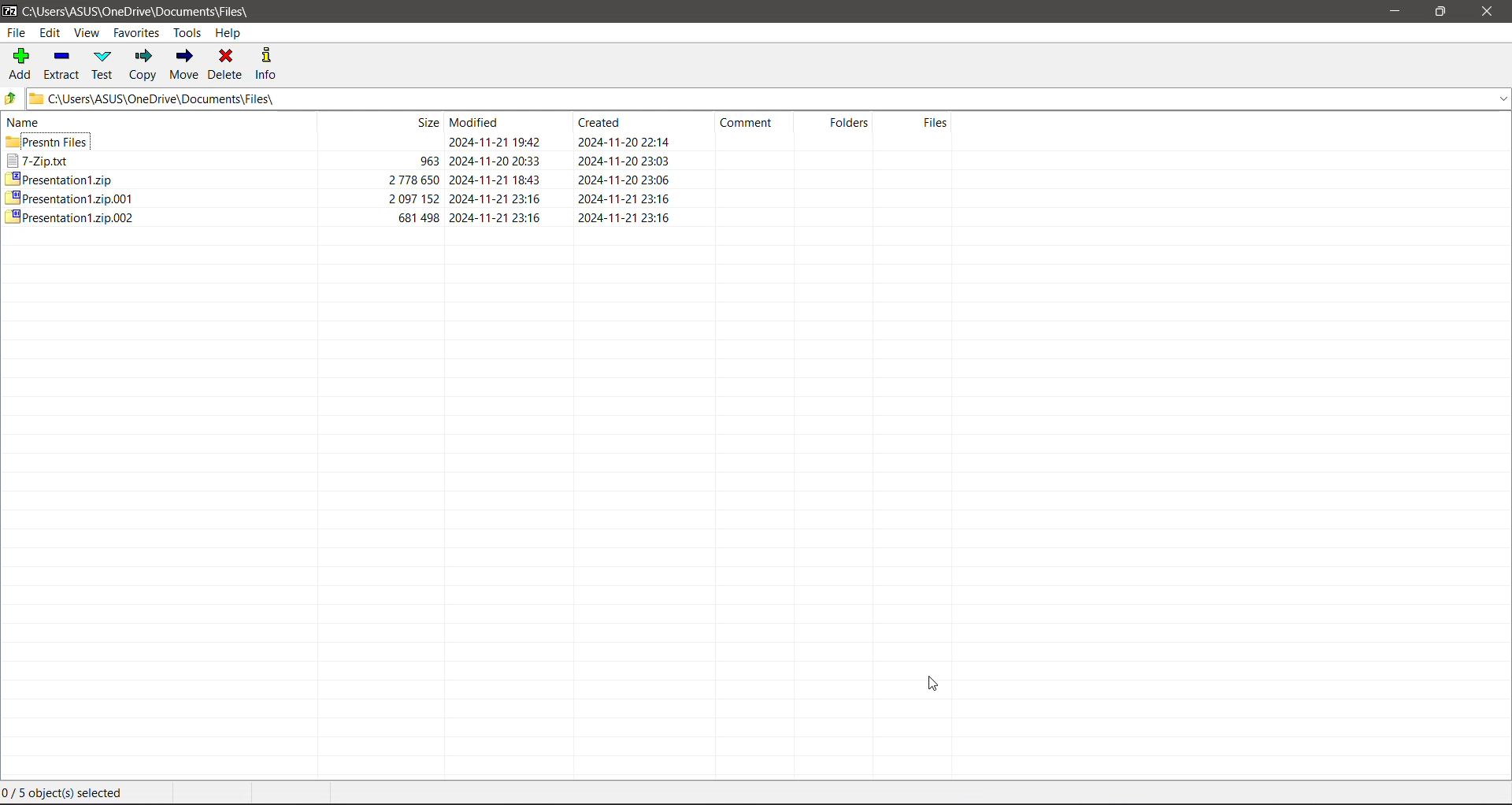  I want to click on Application Logo, so click(9, 12).